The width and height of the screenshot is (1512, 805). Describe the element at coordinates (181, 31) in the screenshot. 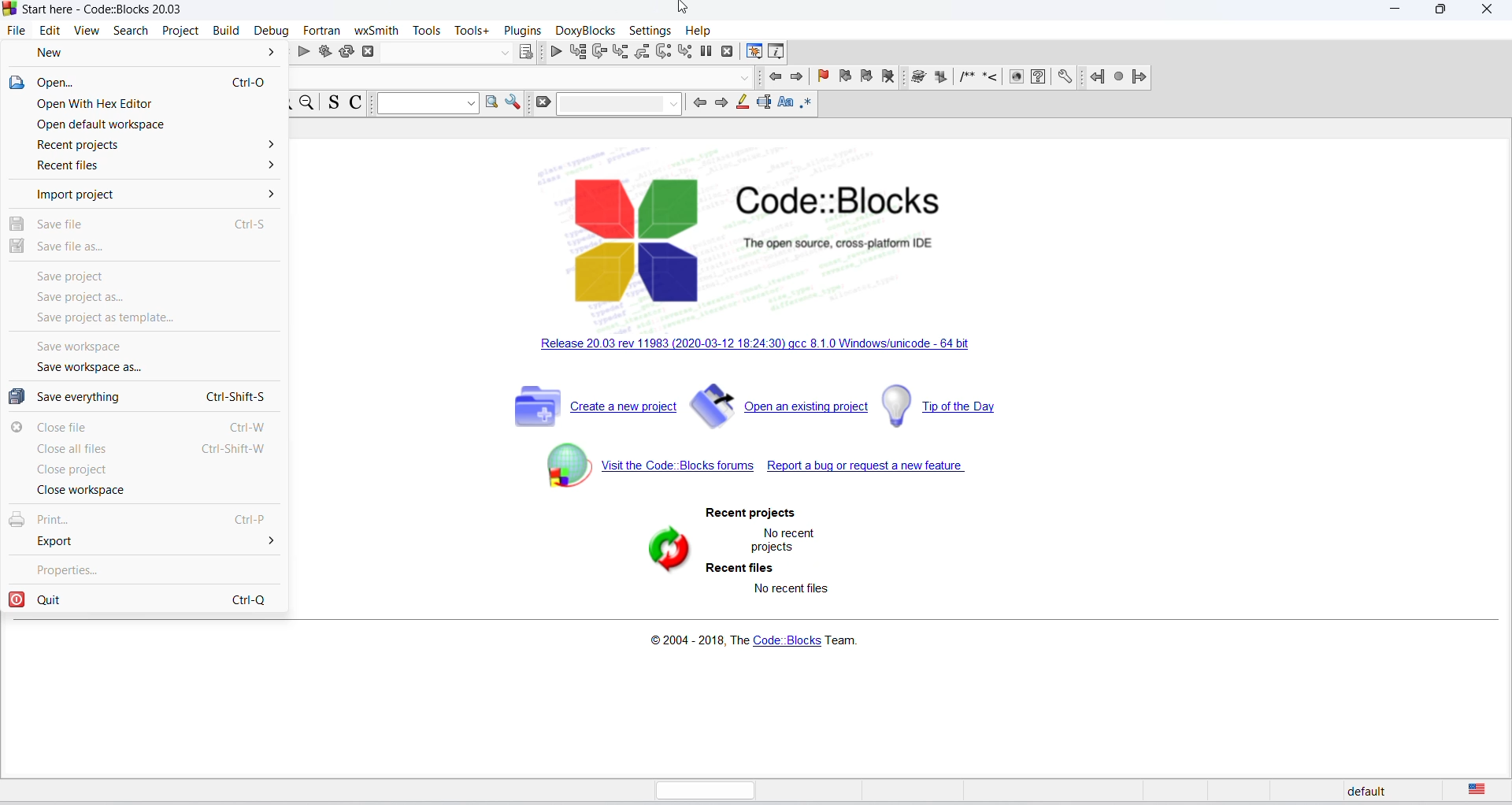

I see `projects` at that location.